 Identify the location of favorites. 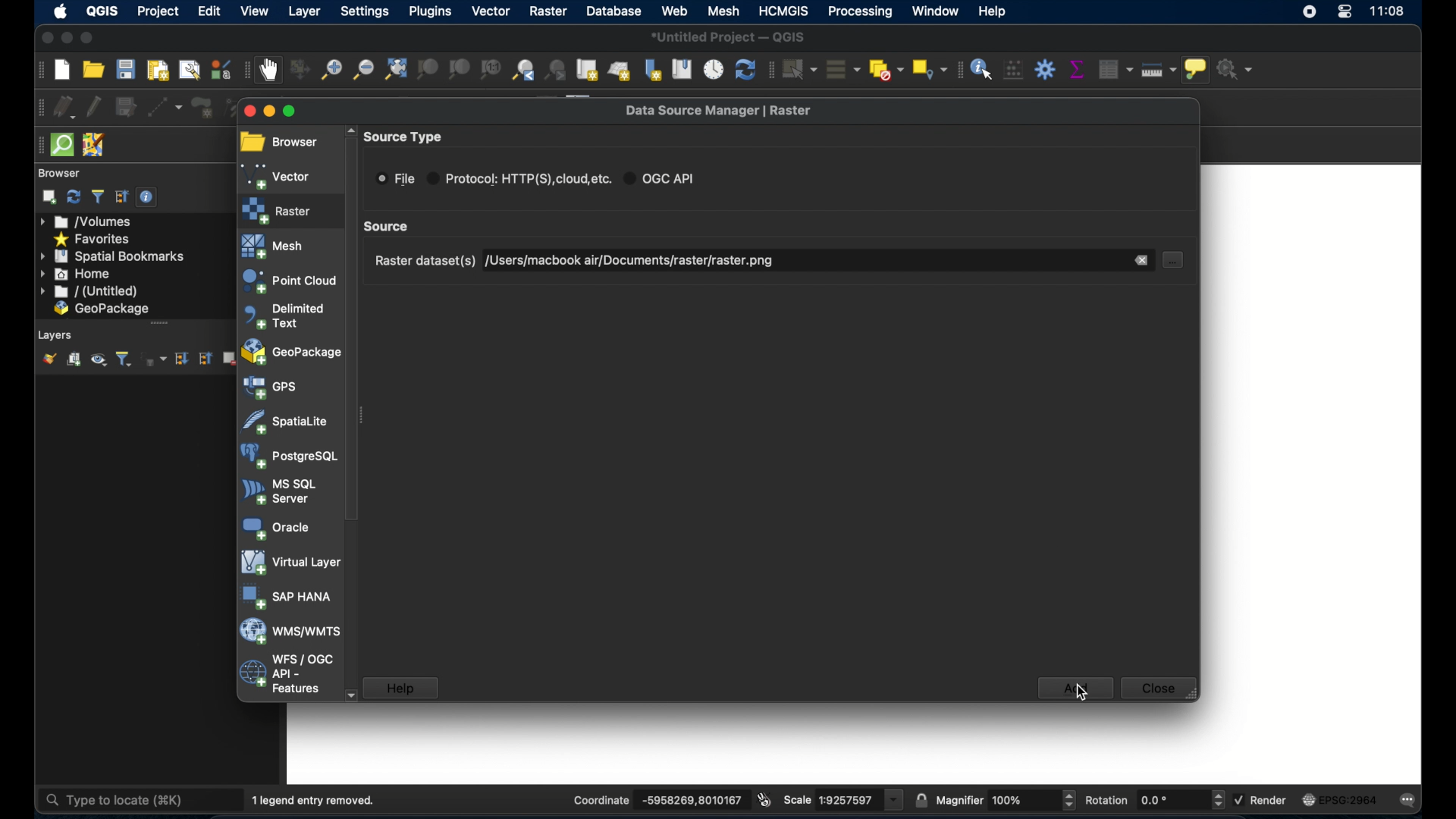
(94, 238).